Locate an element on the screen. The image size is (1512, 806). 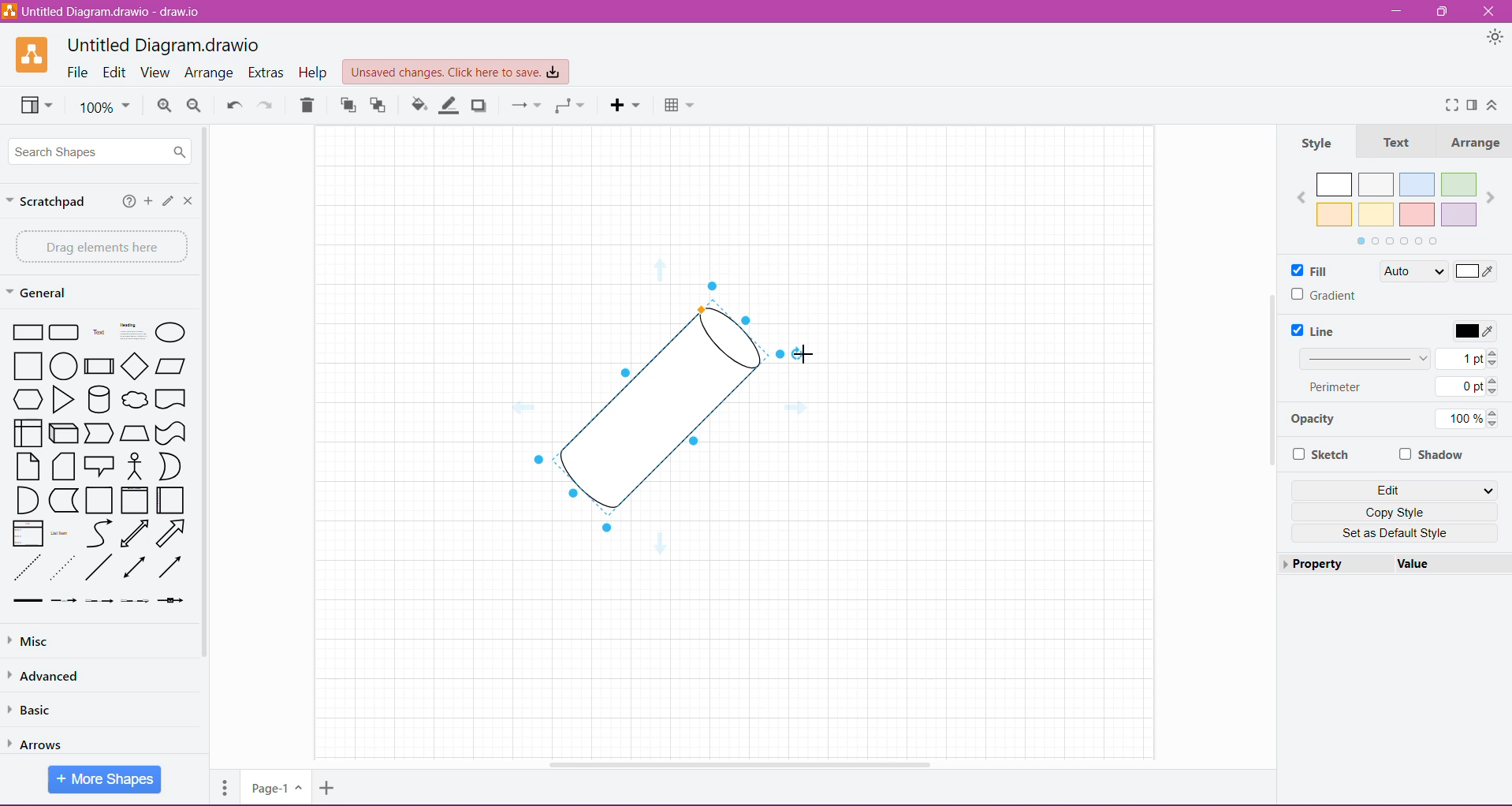
 is located at coordinates (626, 106).